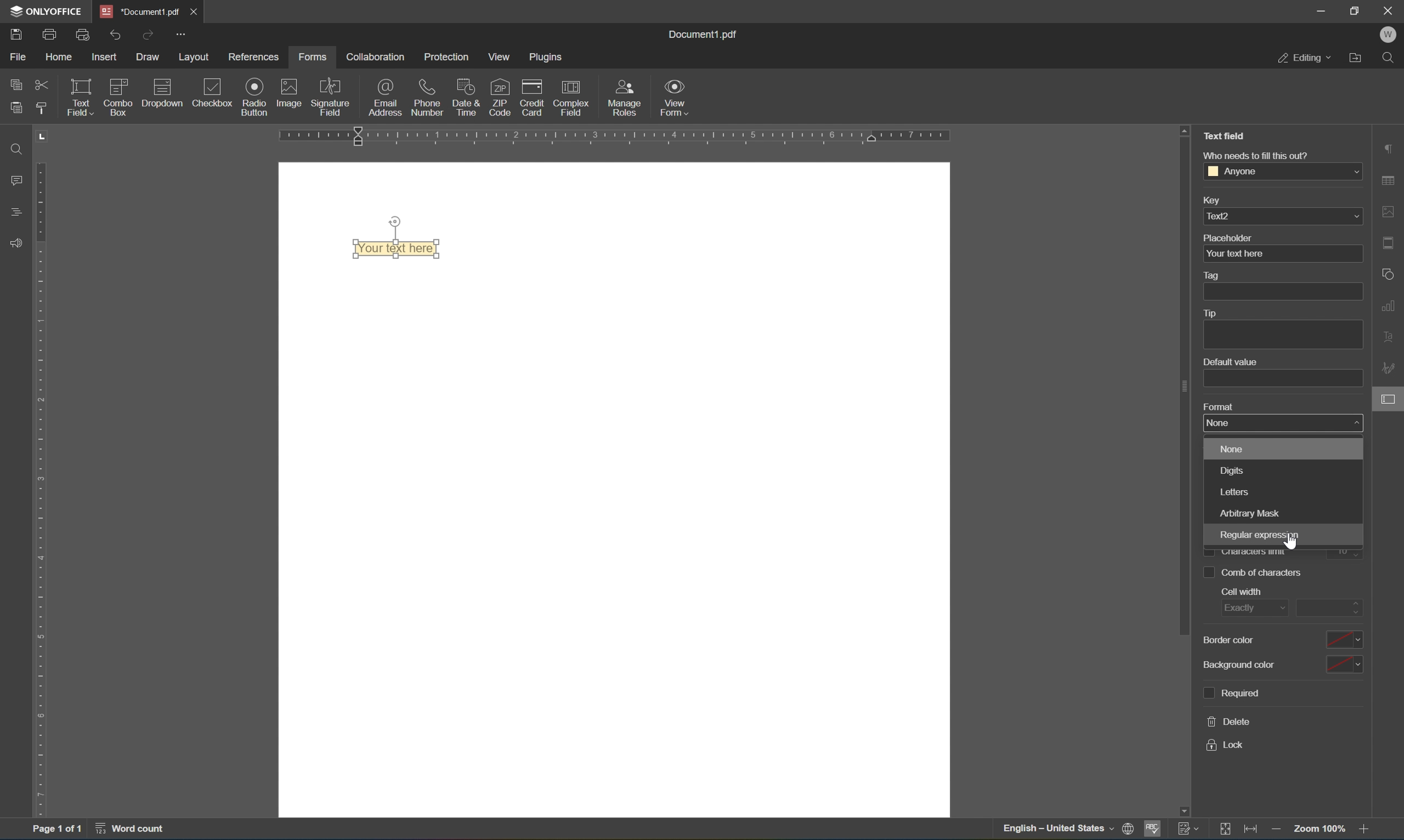 This screenshot has width=1404, height=840. What do you see at coordinates (1390, 179) in the screenshot?
I see `table settings` at bounding box center [1390, 179].